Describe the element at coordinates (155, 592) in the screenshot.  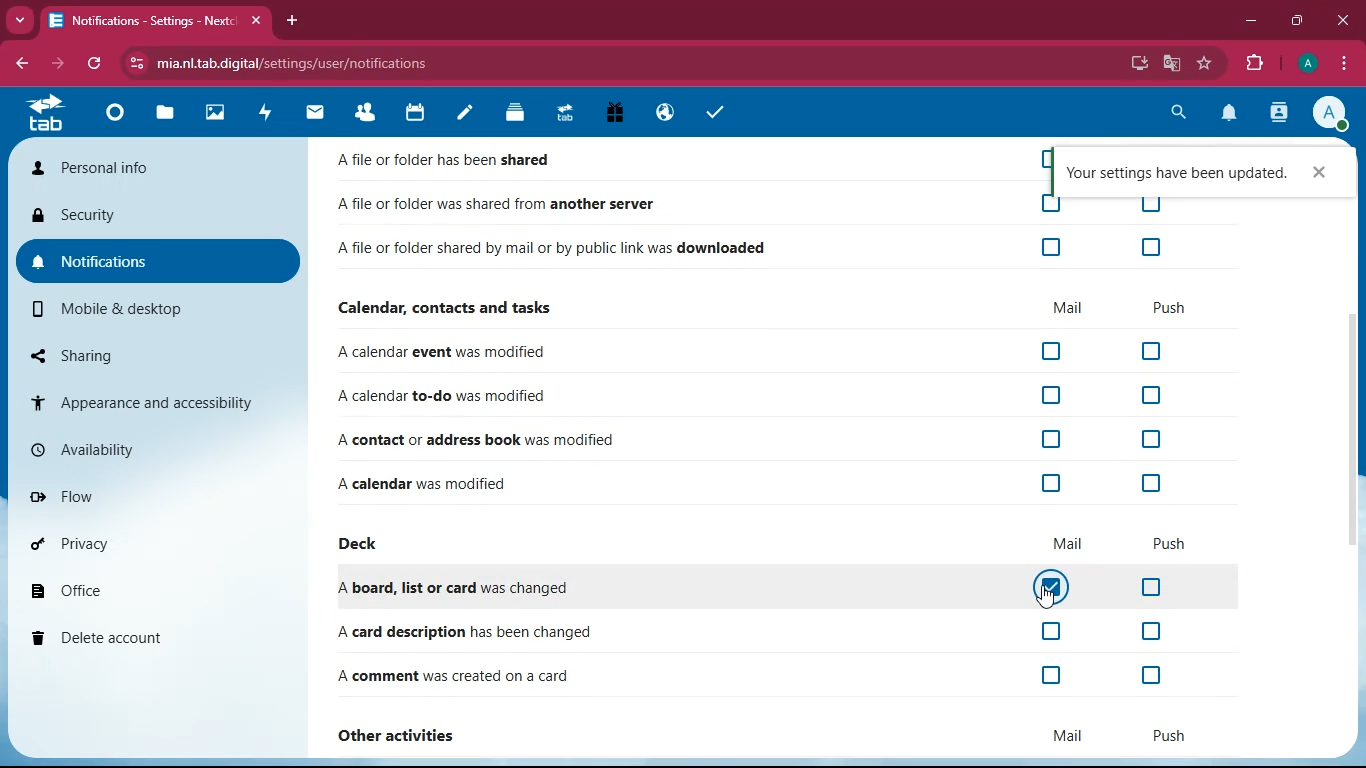
I see `office` at that location.